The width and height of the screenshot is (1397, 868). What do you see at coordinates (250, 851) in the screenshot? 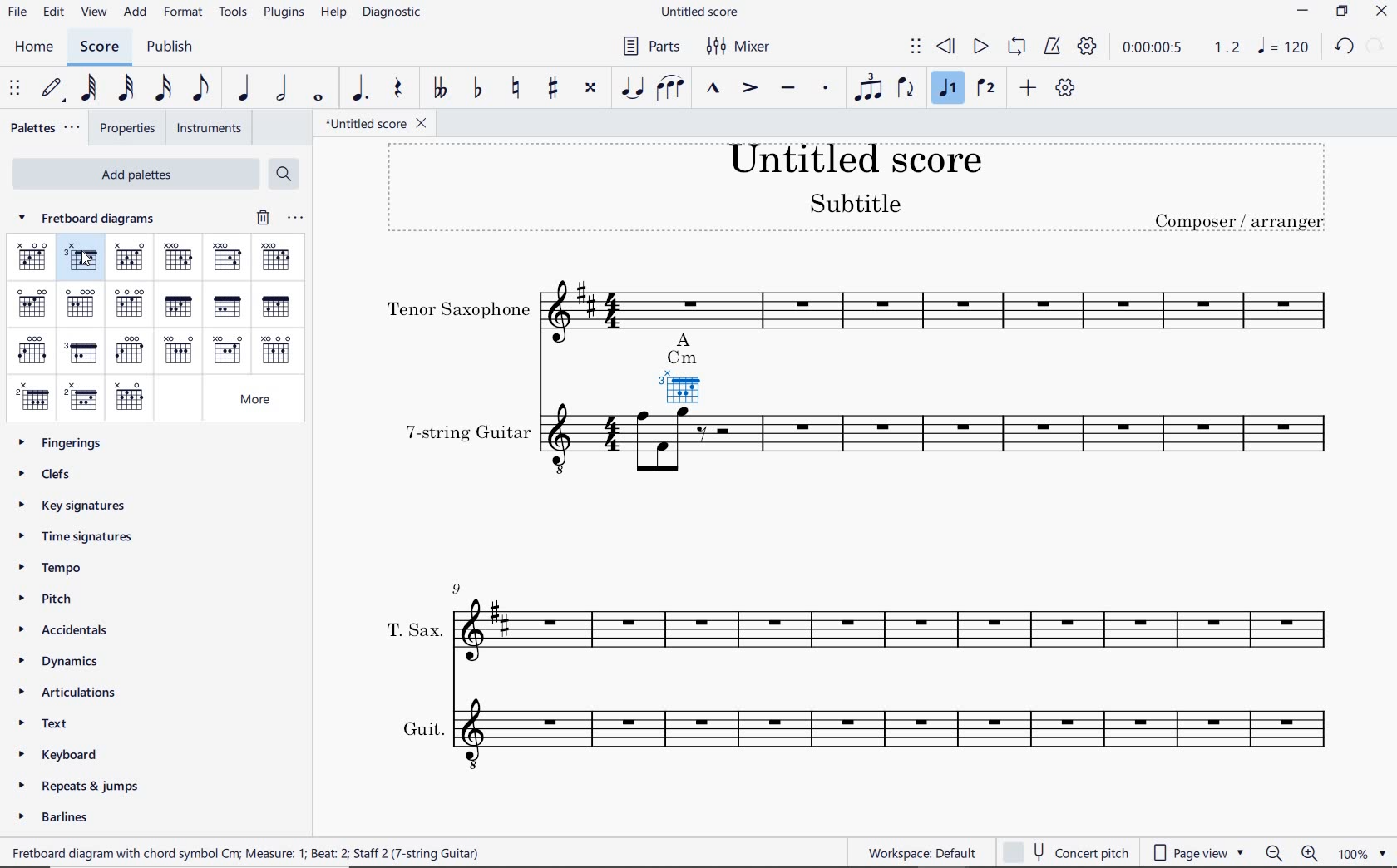
I see `score description` at bounding box center [250, 851].